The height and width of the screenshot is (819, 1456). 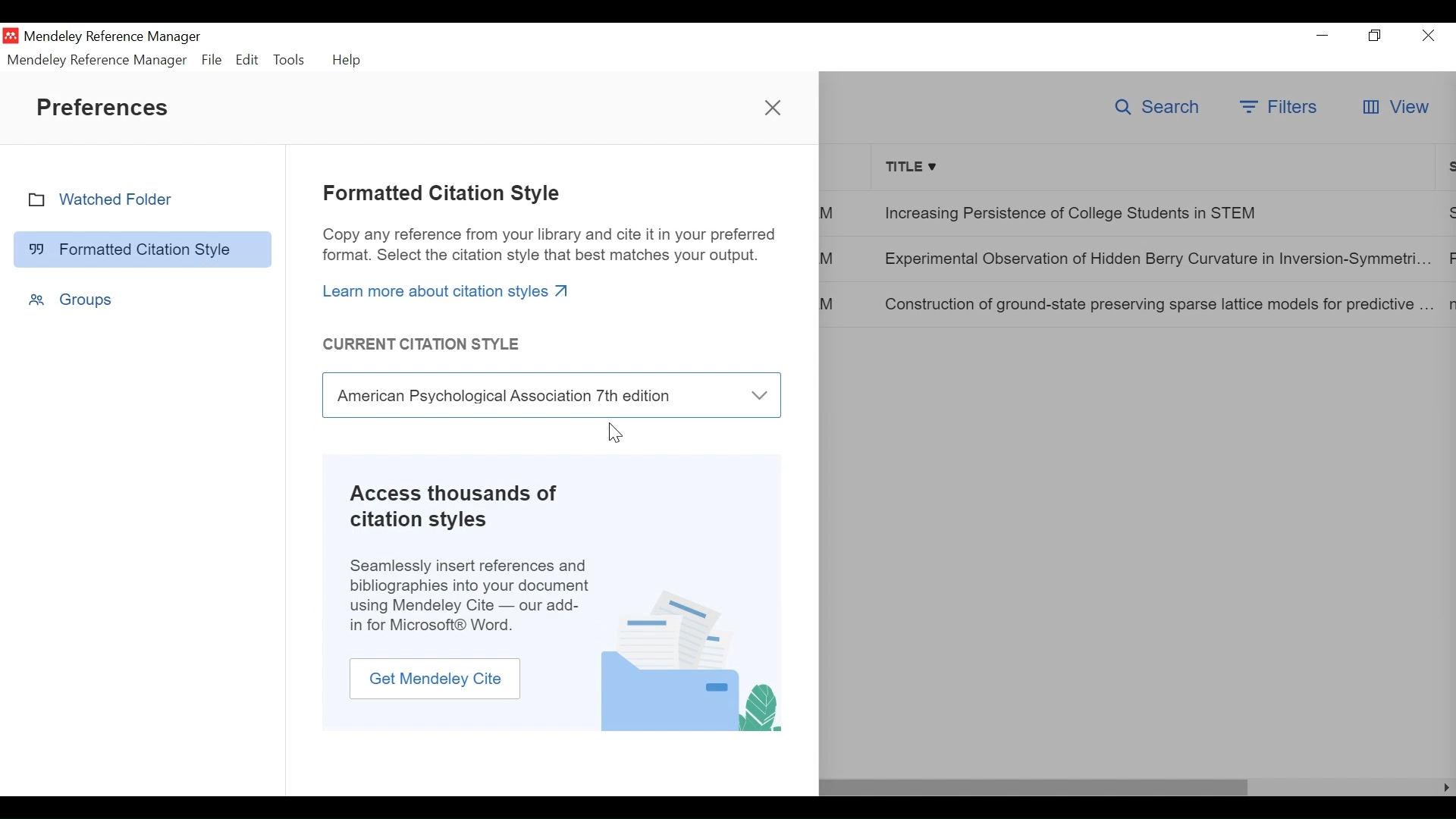 What do you see at coordinates (10, 36) in the screenshot?
I see `Mendeley Desktop Icon` at bounding box center [10, 36].